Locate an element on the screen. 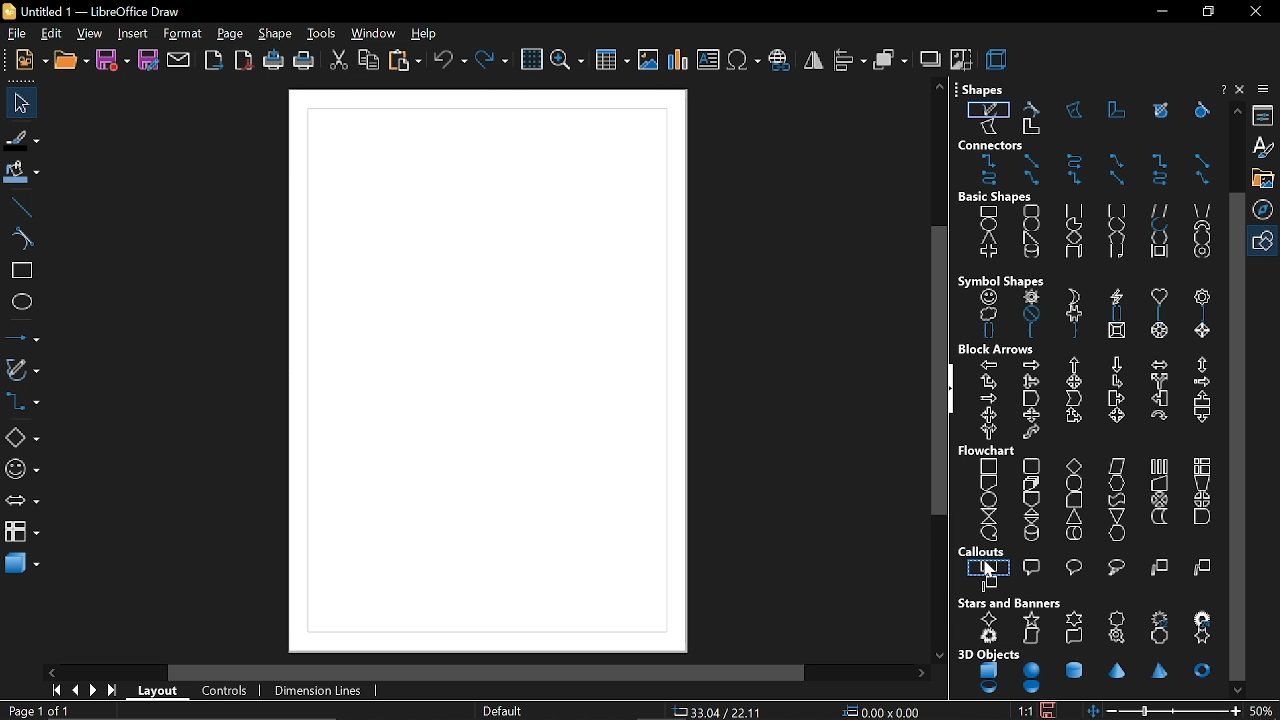 This screenshot has width=1280, height=720. line is located at coordinates (19, 205).